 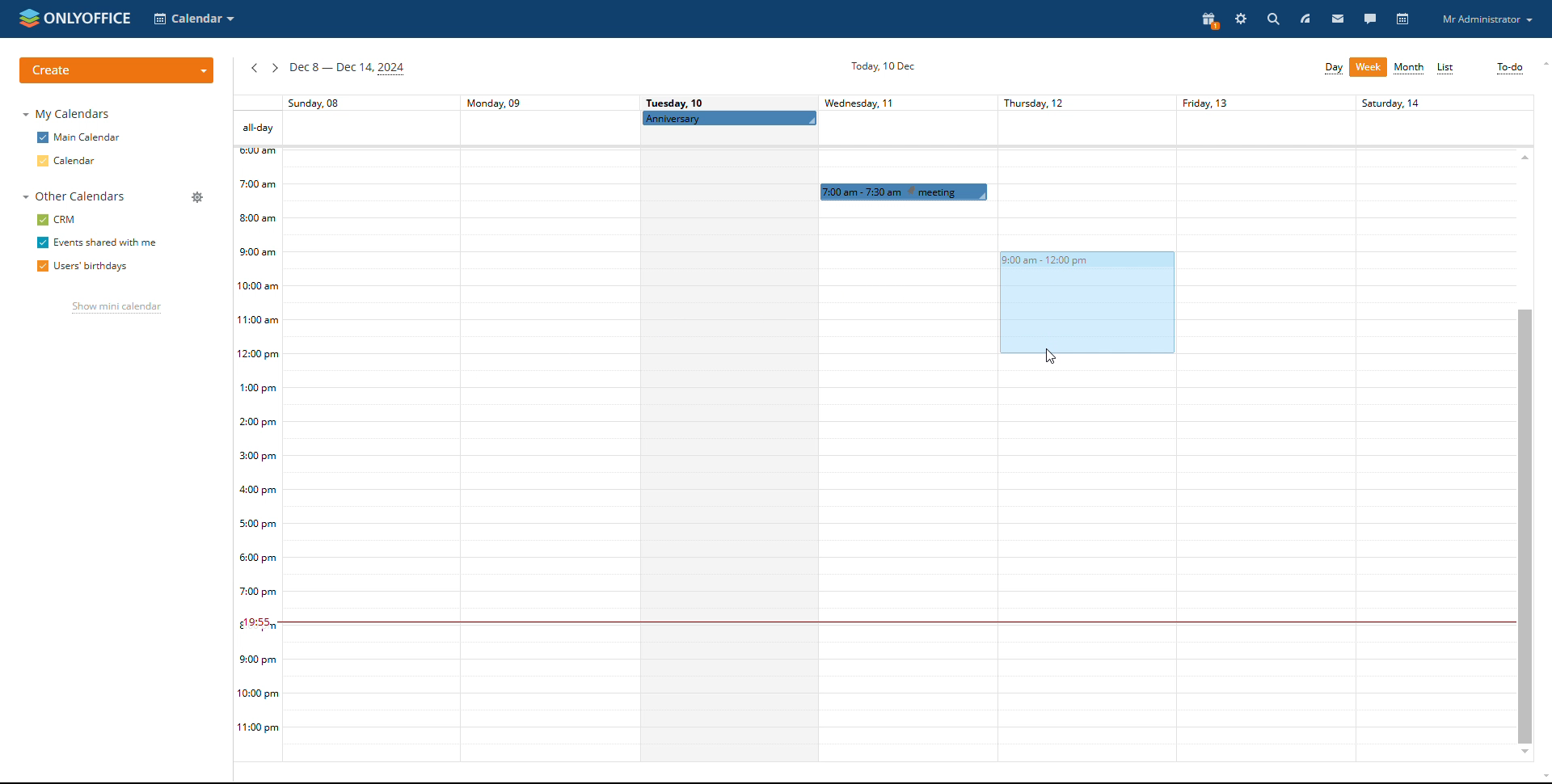 What do you see at coordinates (40, 266) in the screenshot?
I see `checkbox` at bounding box center [40, 266].